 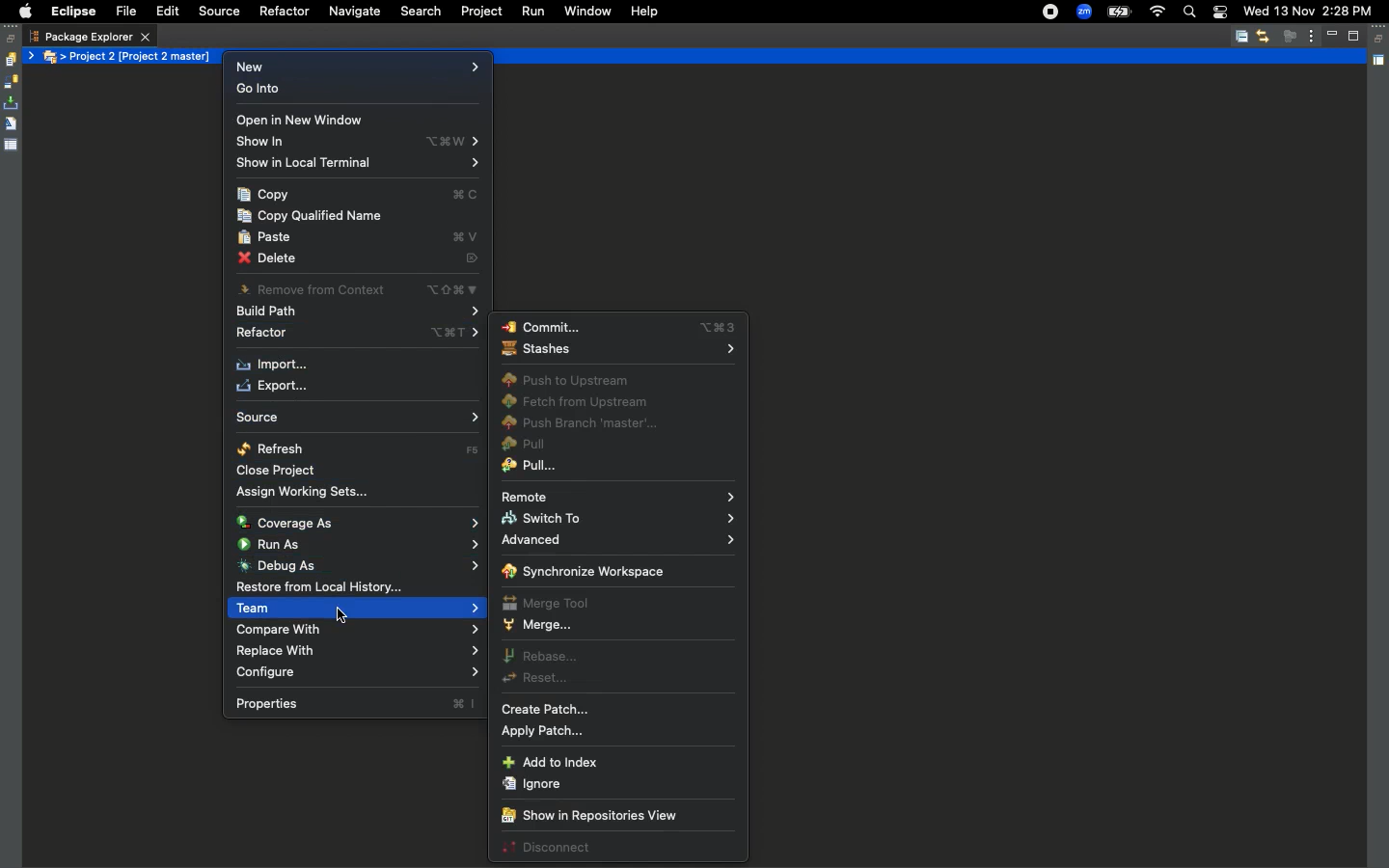 I want to click on Synchronize workspace, so click(x=584, y=572).